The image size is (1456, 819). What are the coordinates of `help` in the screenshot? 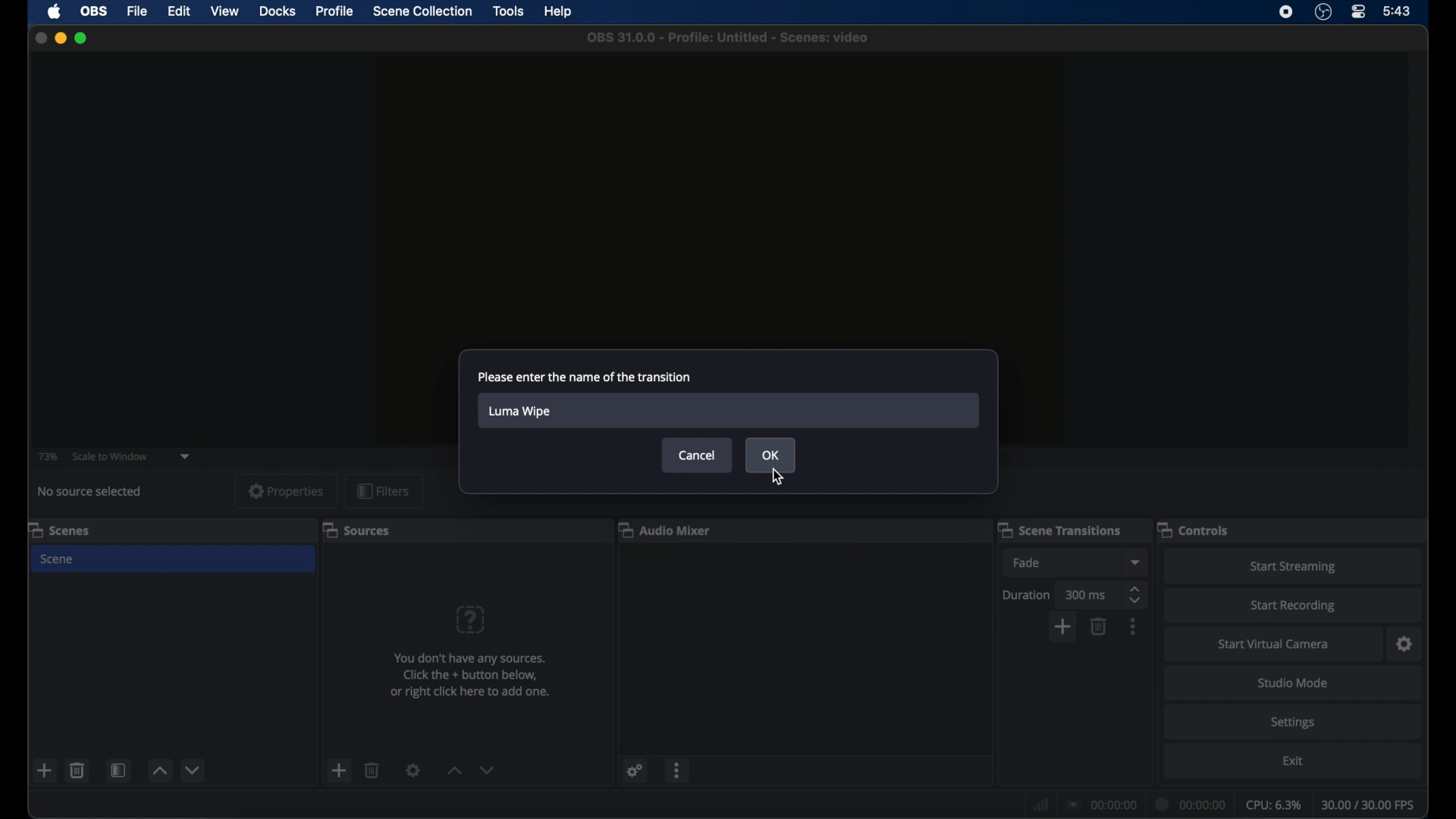 It's located at (559, 10).